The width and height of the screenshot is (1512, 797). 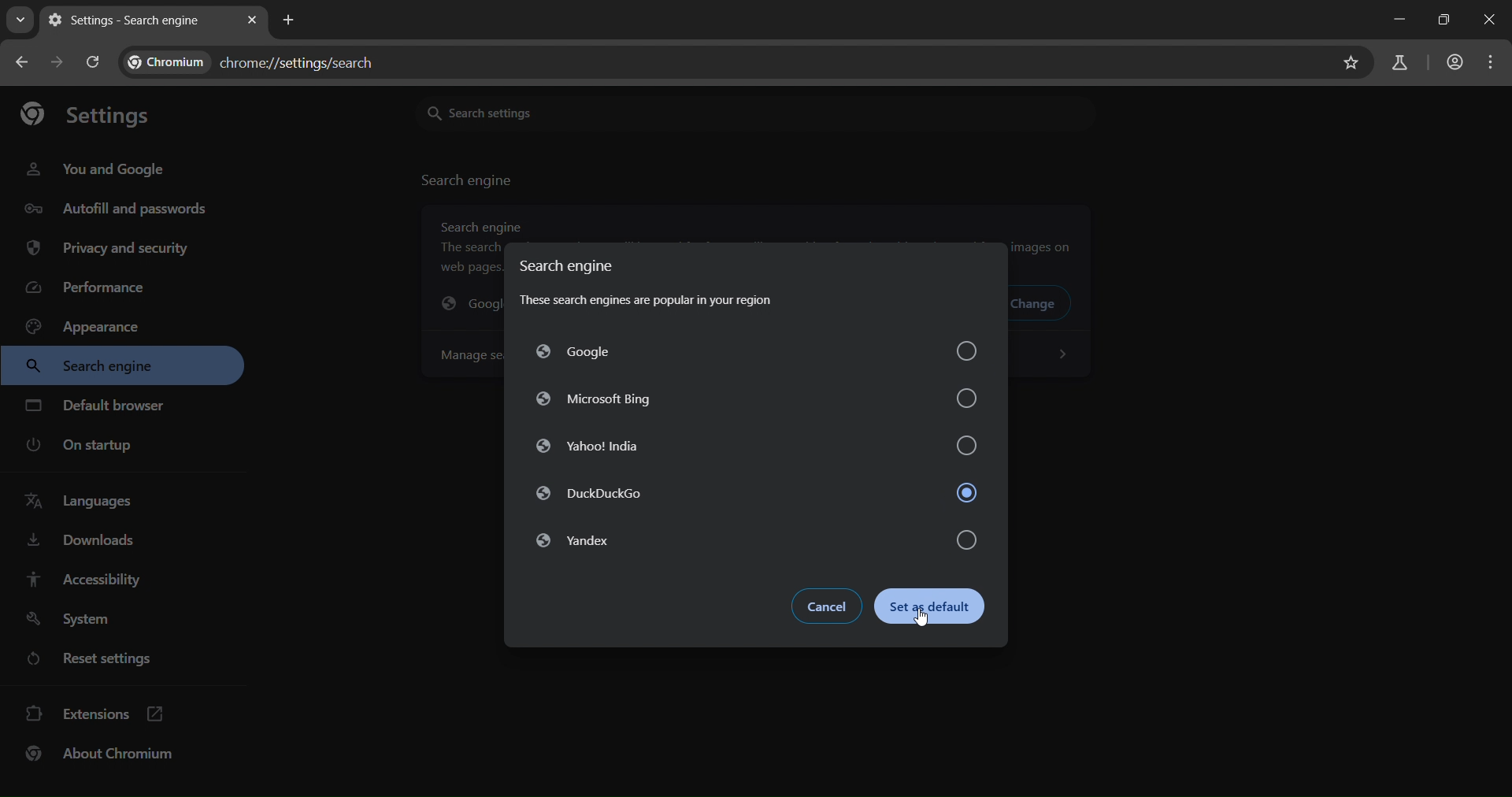 What do you see at coordinates (94, 658) in the screenshot?
I see `reset settings` at bounding box center [94, 658].